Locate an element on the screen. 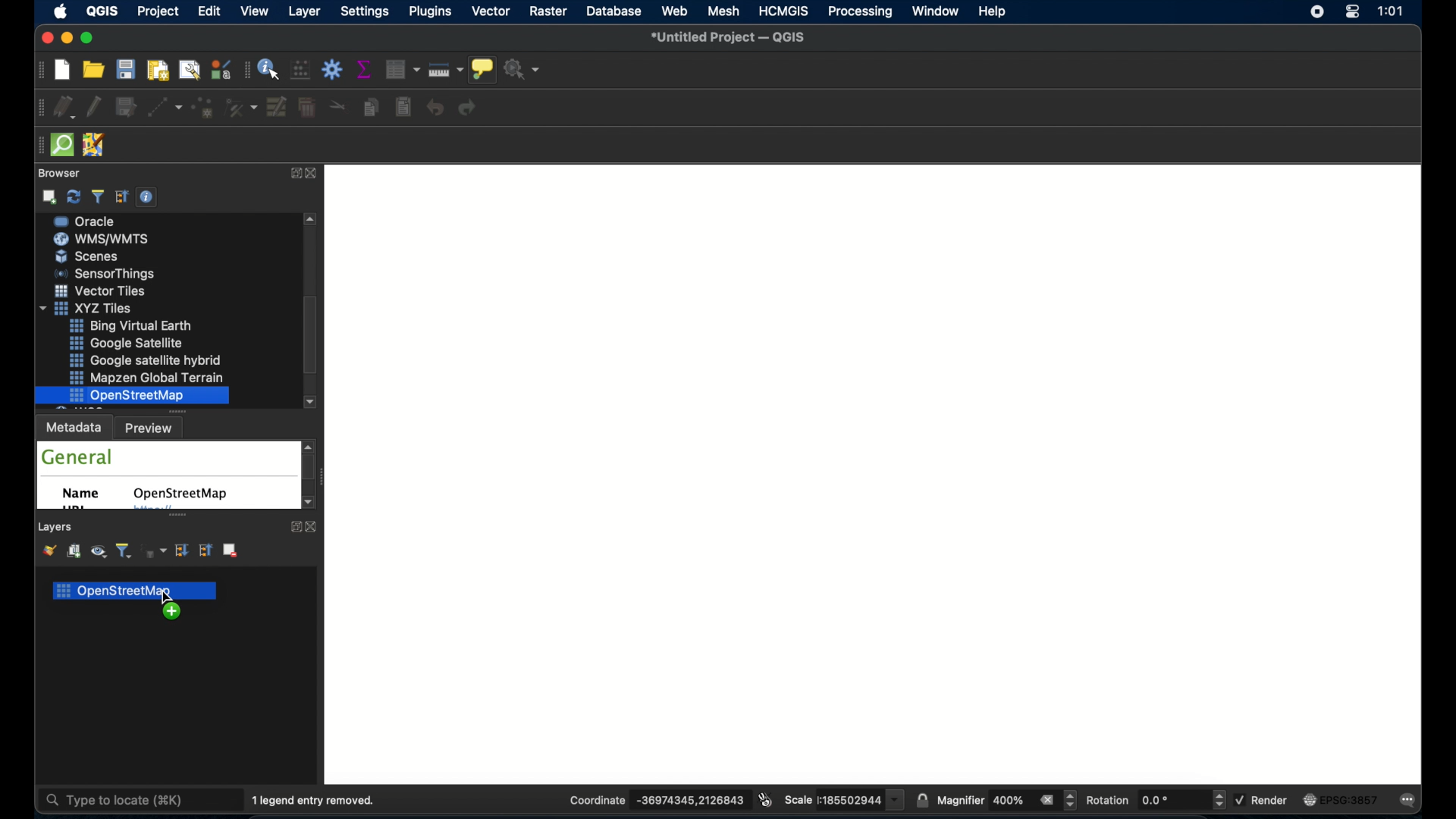  apple icon is located at coordinates (59, 11).